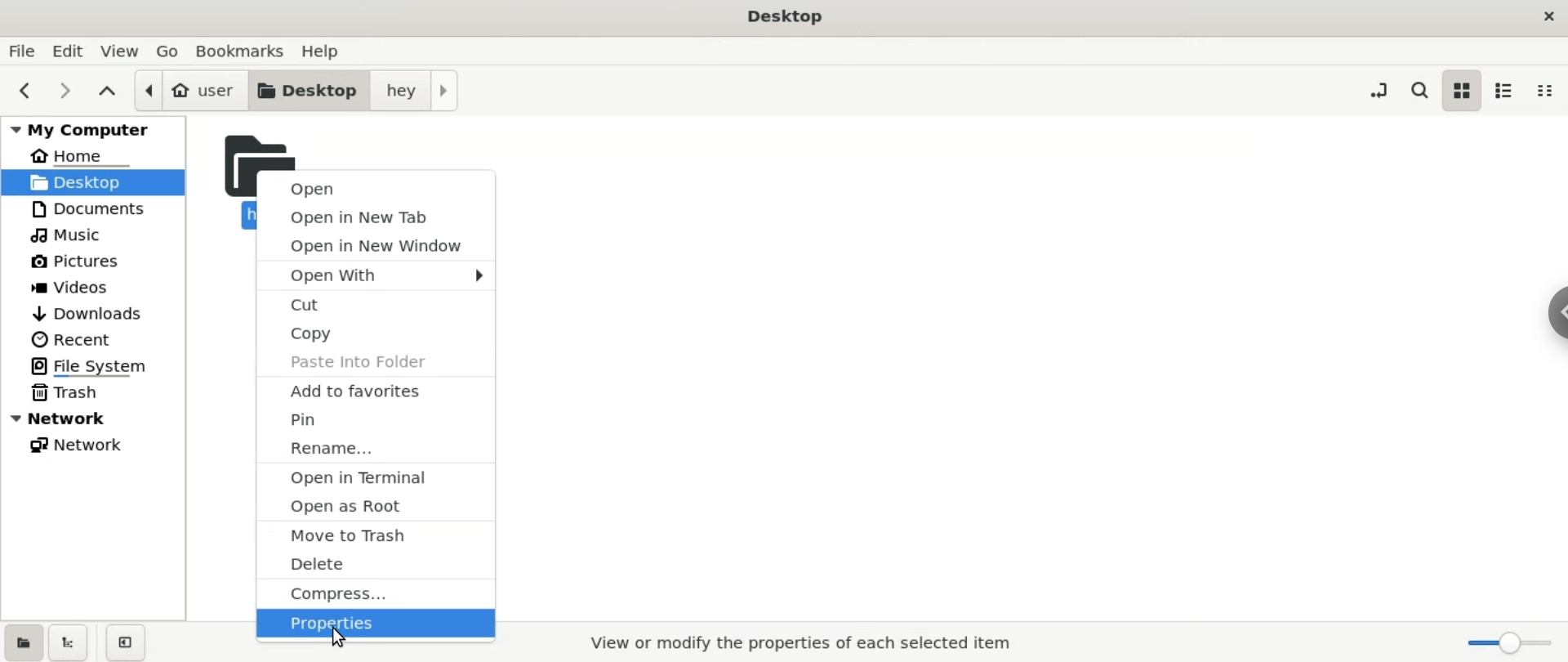 Image resolution: width=1568 pixels, height=662 pixels. I want to click on copy, so click(373, 332).